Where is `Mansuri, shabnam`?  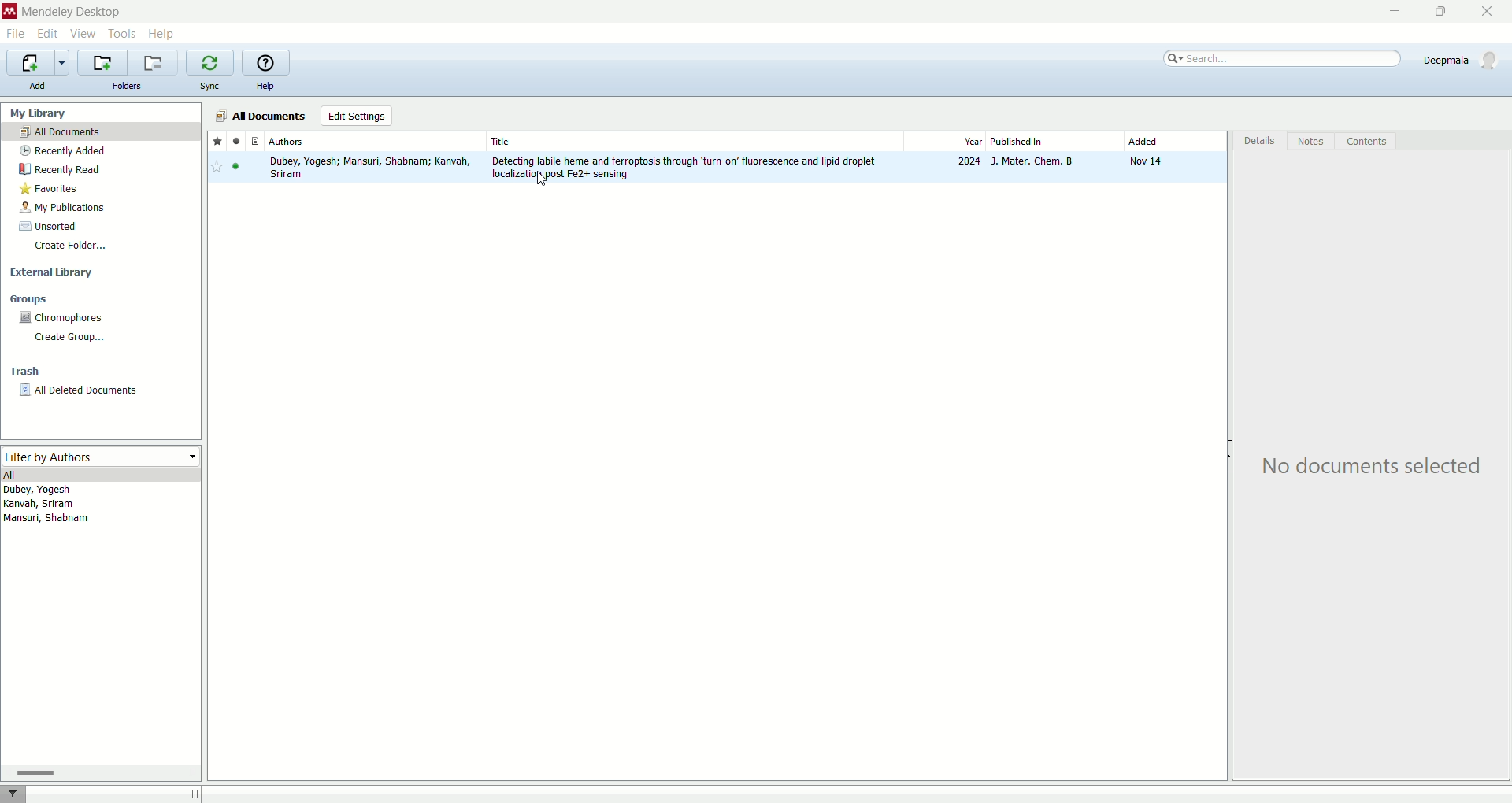 Mansuri, shabnam is located at coordinates (49, 520).